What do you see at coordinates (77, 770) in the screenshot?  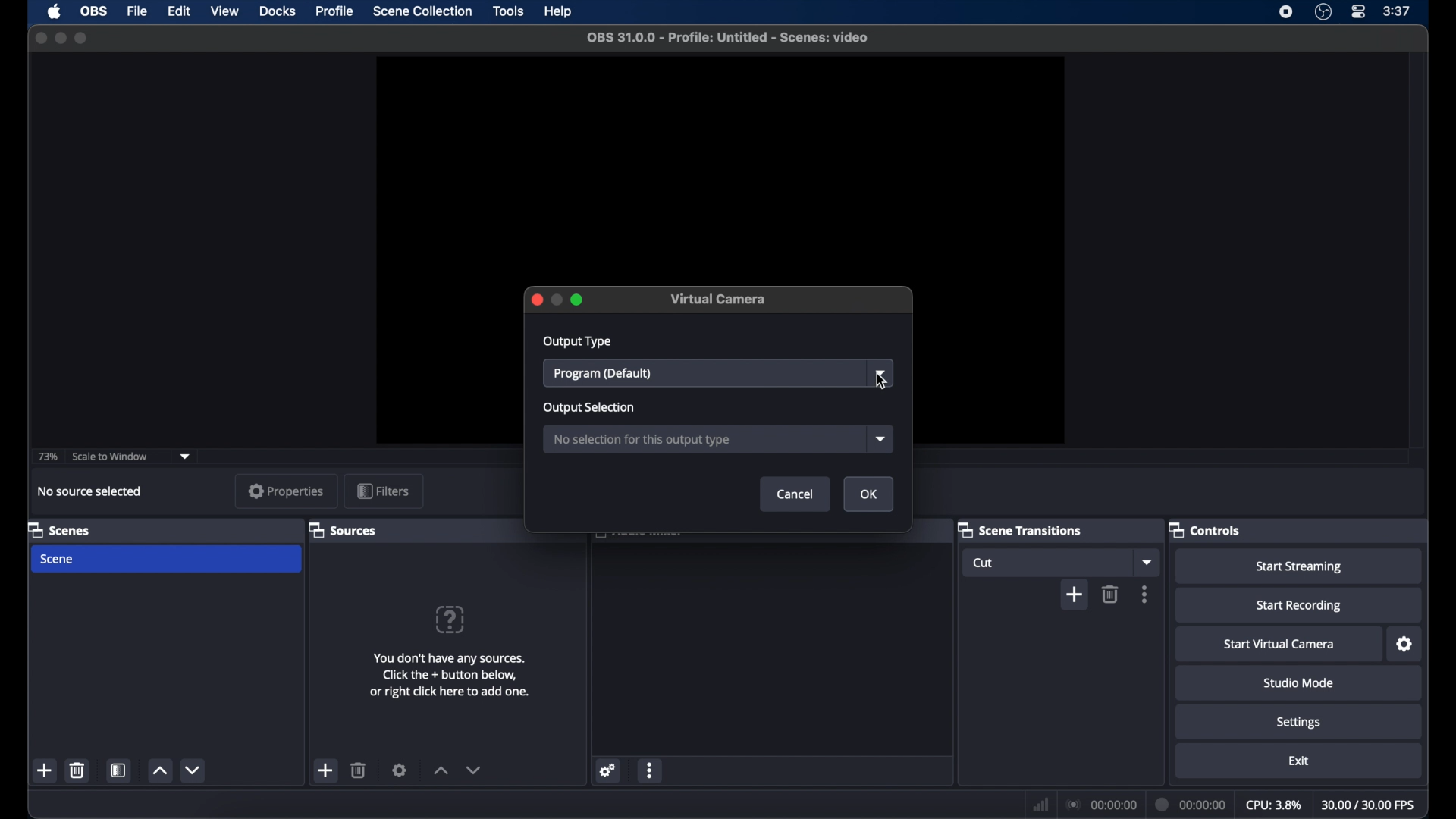 I see `delete` at bounding box center [77, 770].